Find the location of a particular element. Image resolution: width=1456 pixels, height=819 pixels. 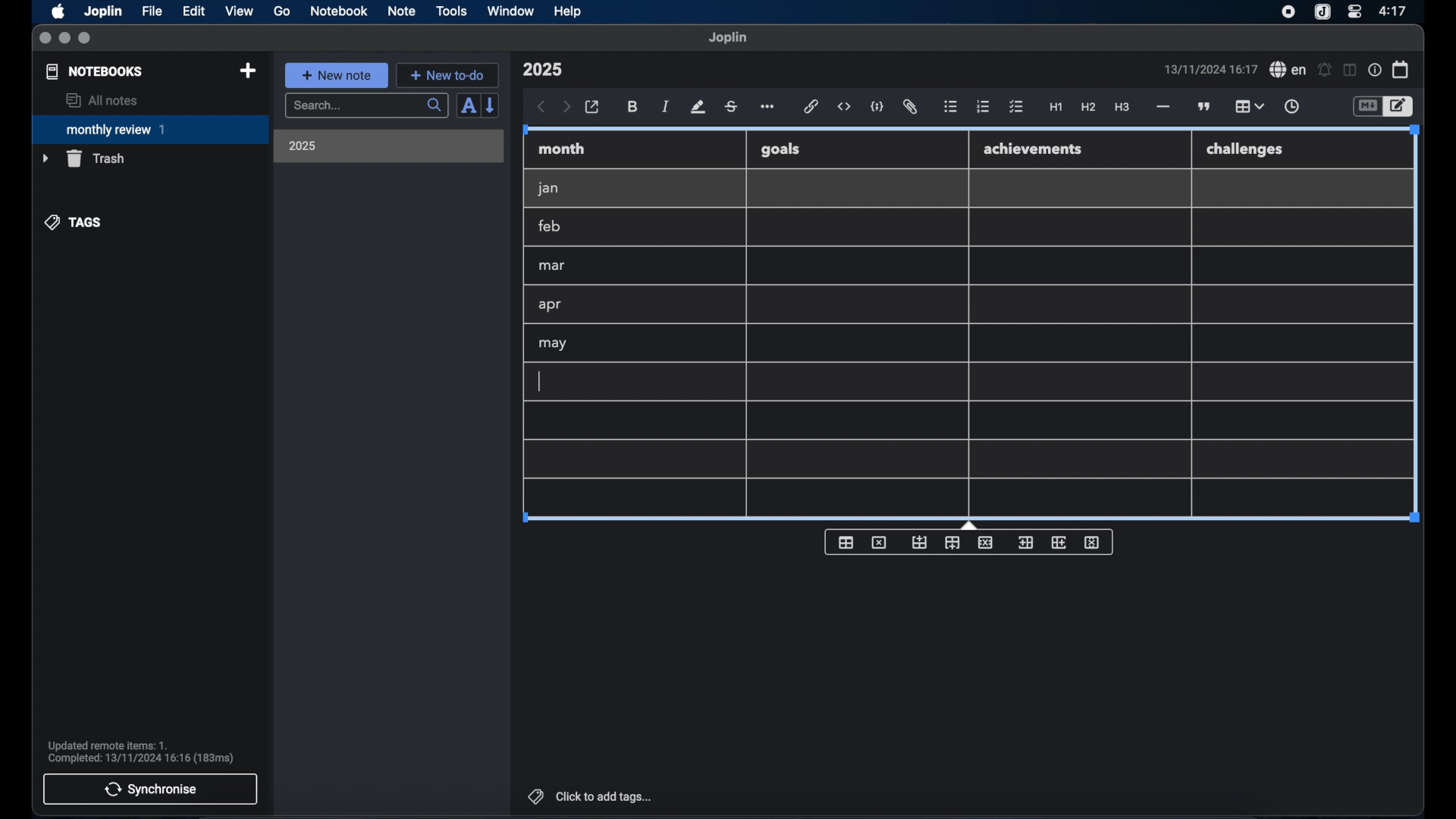

apple icon is located at coordinates (57, 11).